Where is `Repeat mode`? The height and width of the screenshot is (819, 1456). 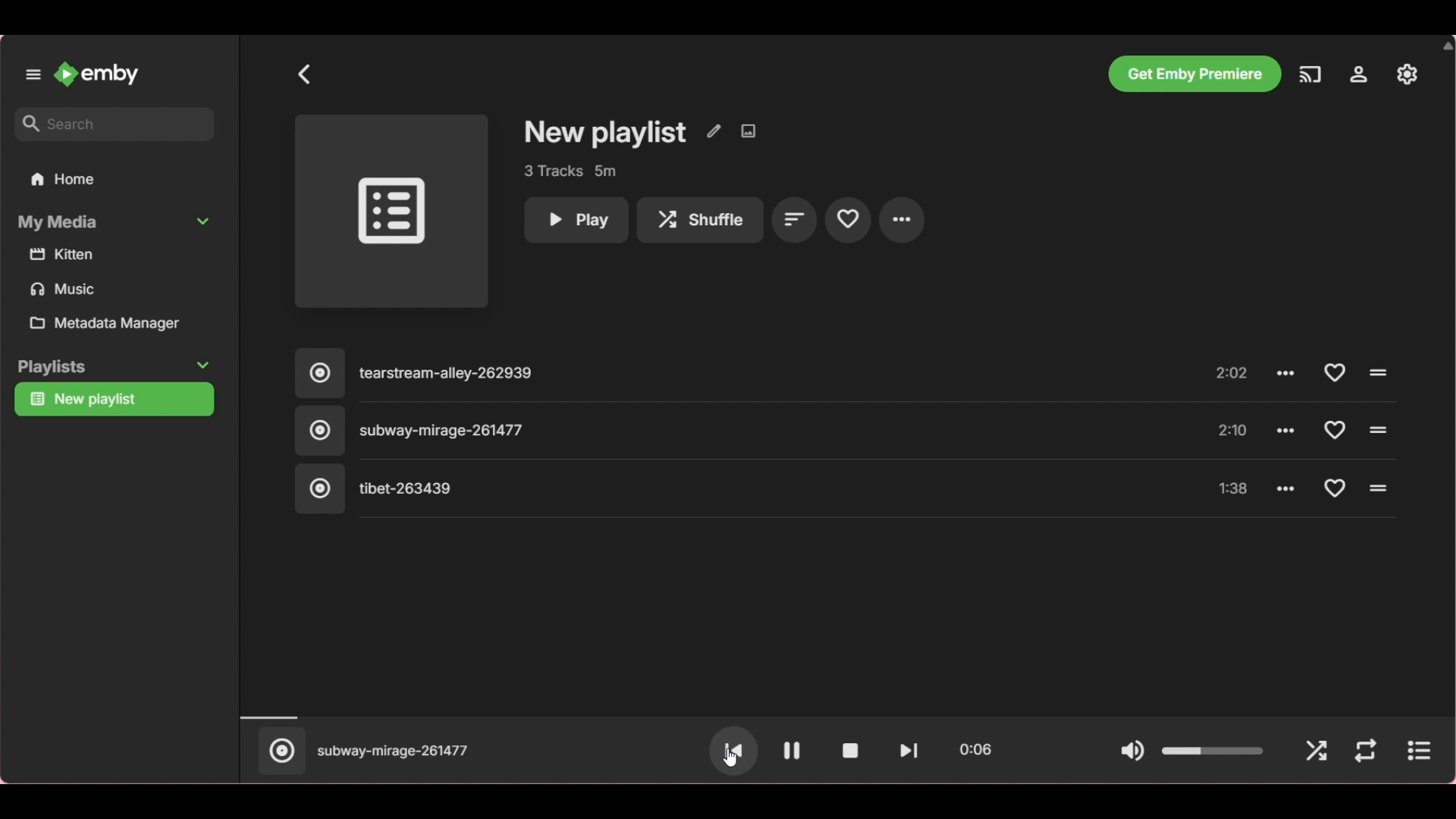
Repeat mode is located at coordinates (1365, 752).